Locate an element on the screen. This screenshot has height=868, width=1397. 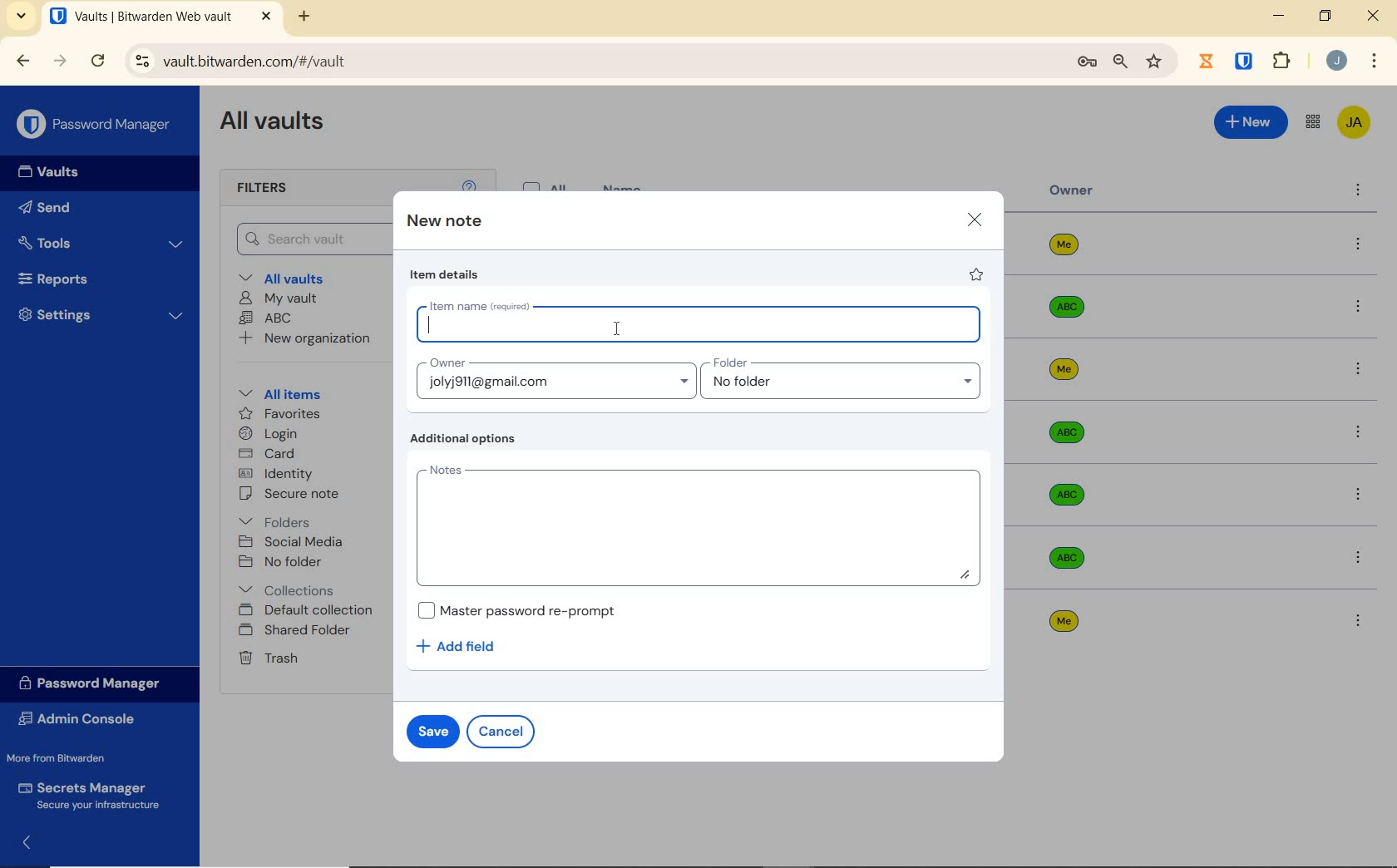
Vaults is located at coordinates (57, 174).